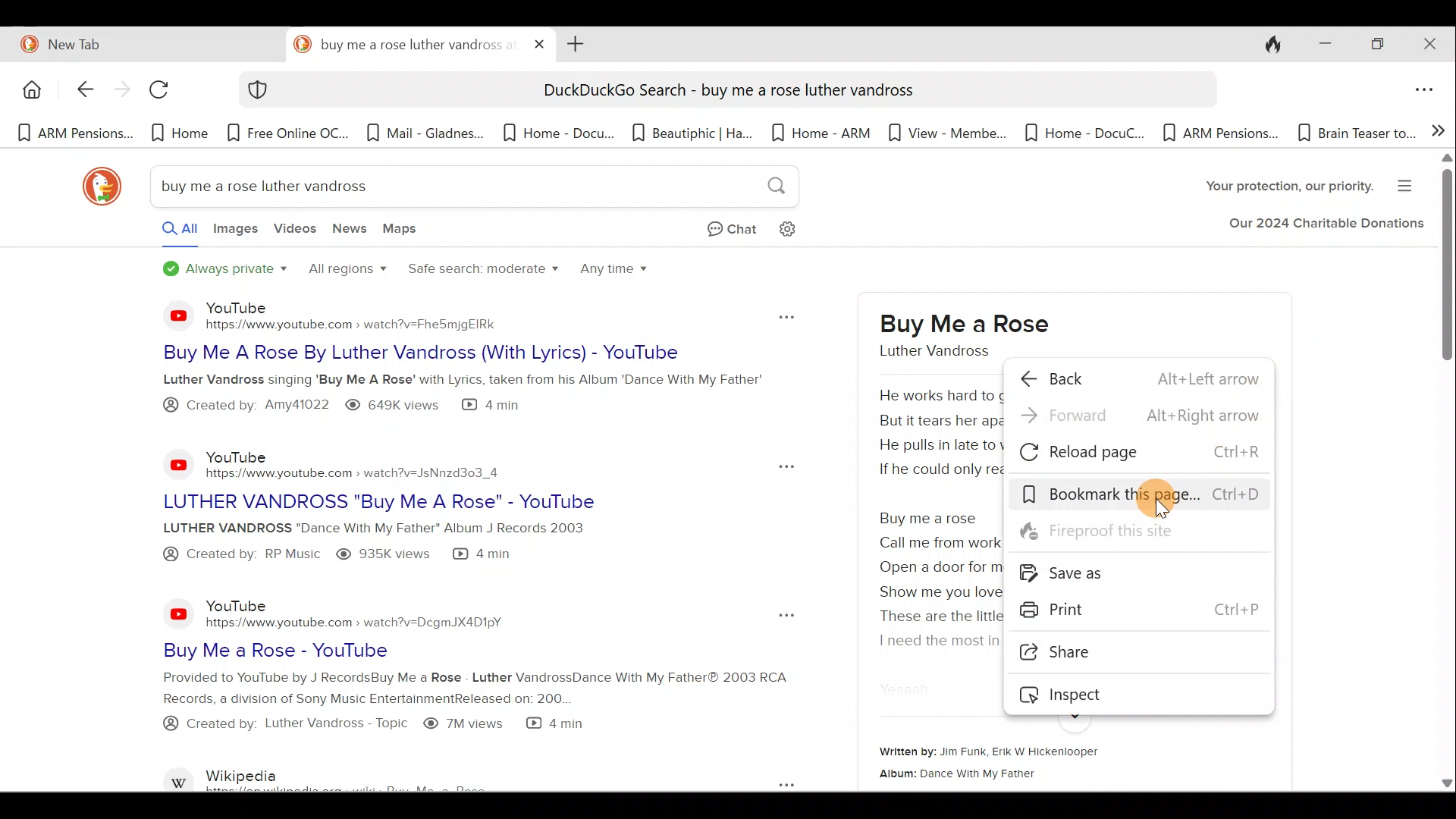 The width and height of the screenshot is (1456, 819). I want to click on DuckDuckGo Search - buy me a rose luther vandross, so click(726, 93).